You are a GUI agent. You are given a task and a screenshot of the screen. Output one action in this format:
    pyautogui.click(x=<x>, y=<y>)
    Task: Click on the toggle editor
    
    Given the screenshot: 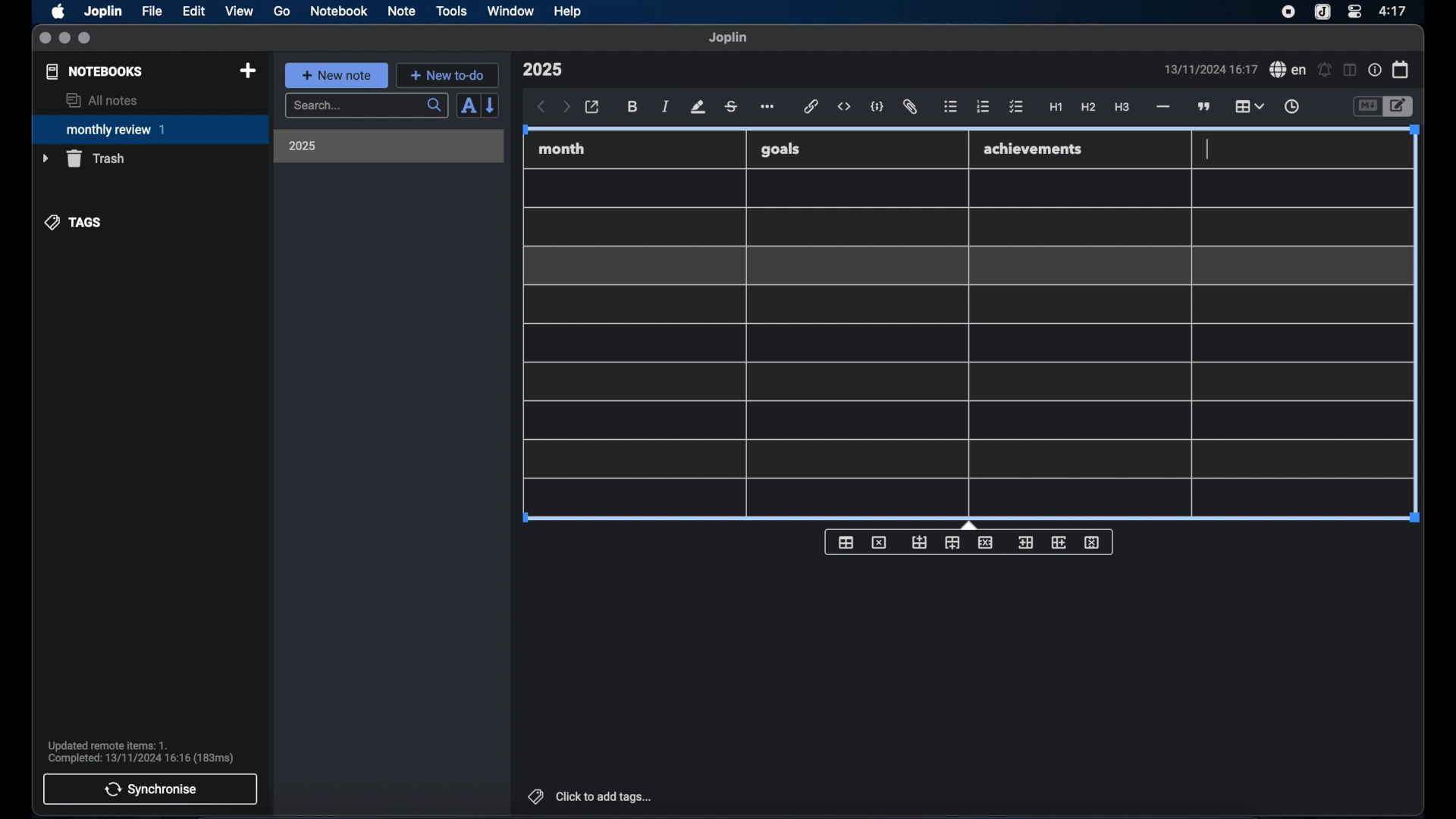 What is the action you would take?
    pyautogui.click(x=1367, y=107)
    